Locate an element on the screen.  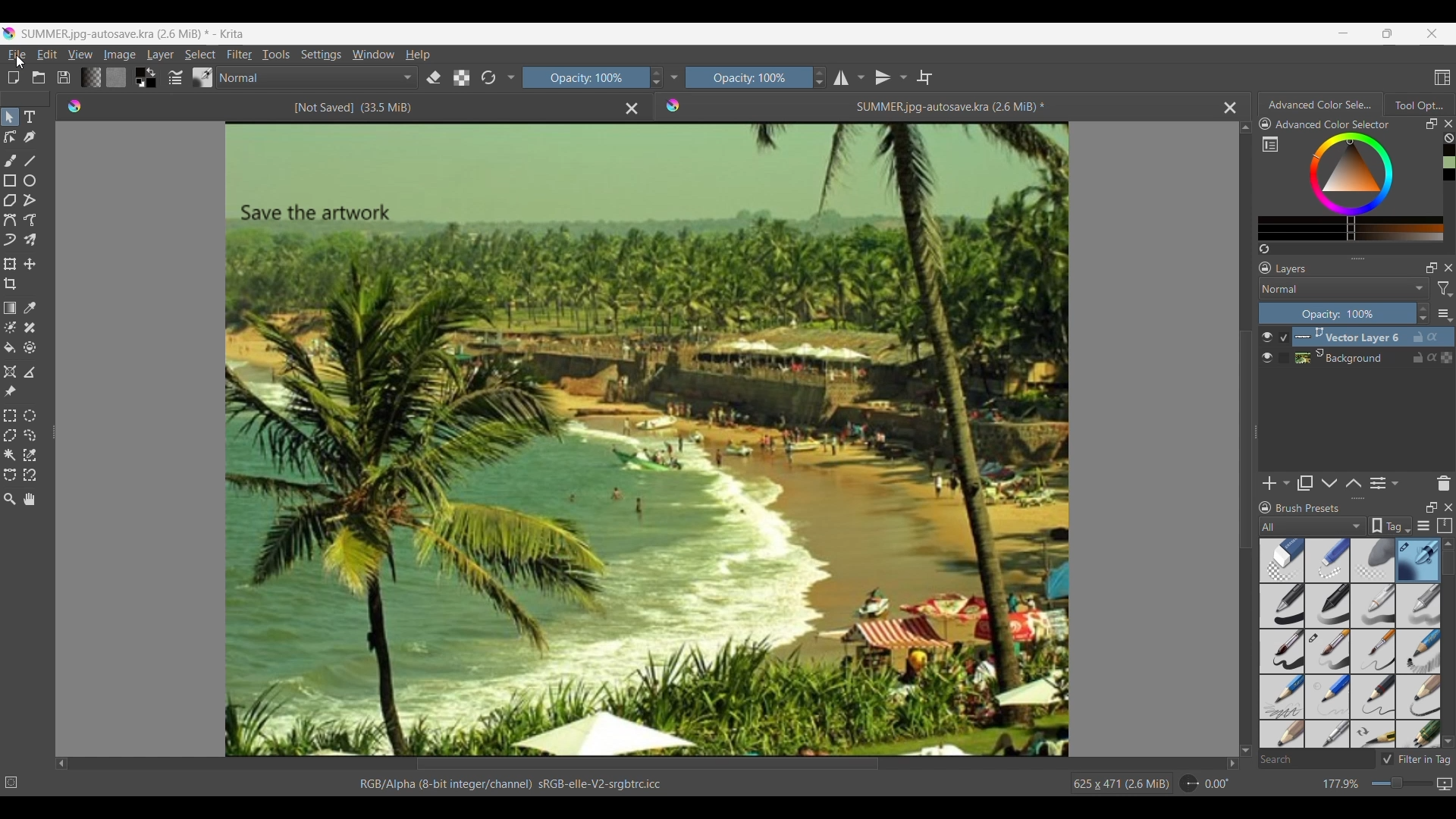
Quick slide to top is located at coordinates (1245, 127).